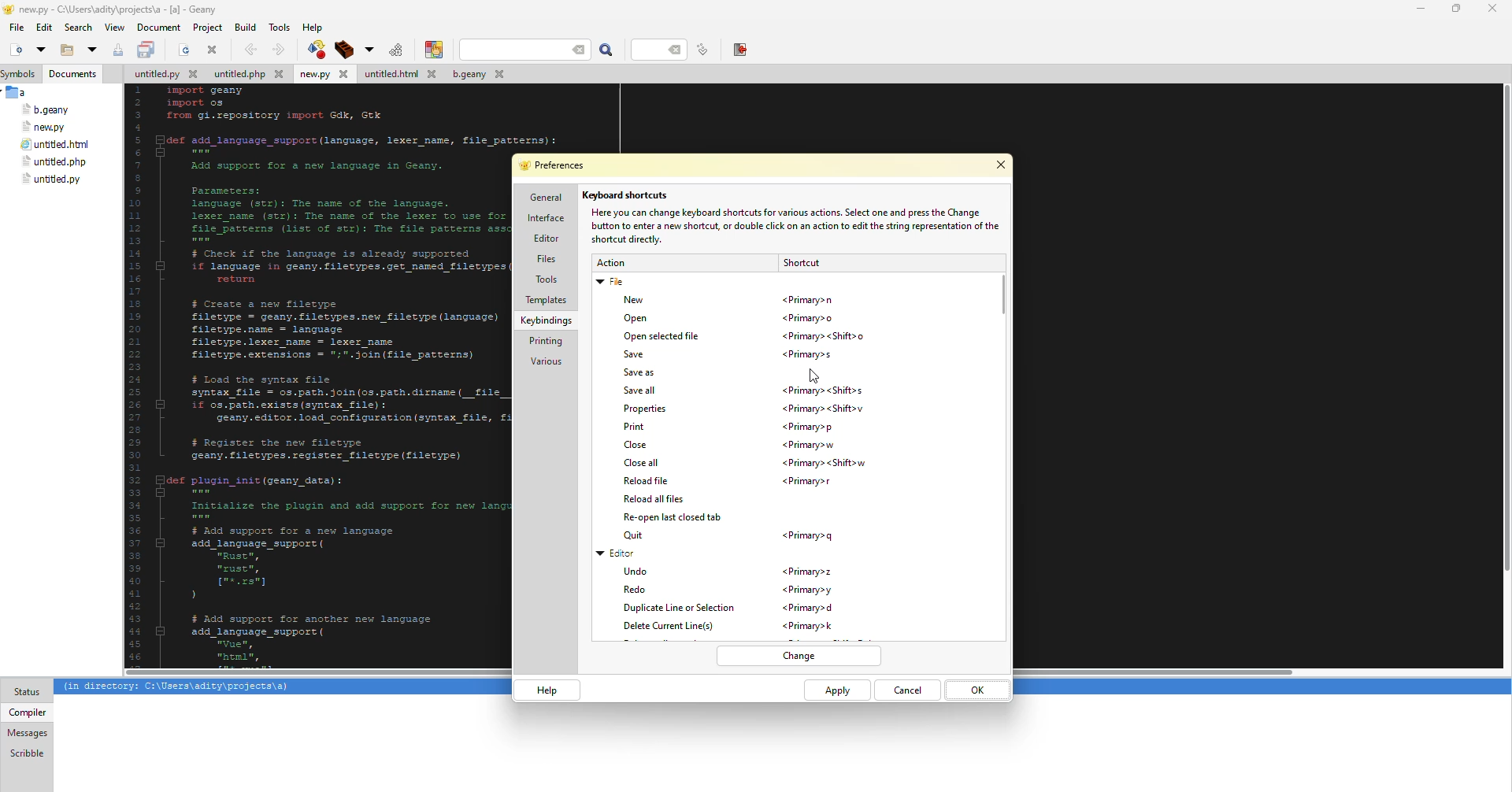  Describe the element at coordinates (702, 50) in the screenshot. I see `line number` at that location.